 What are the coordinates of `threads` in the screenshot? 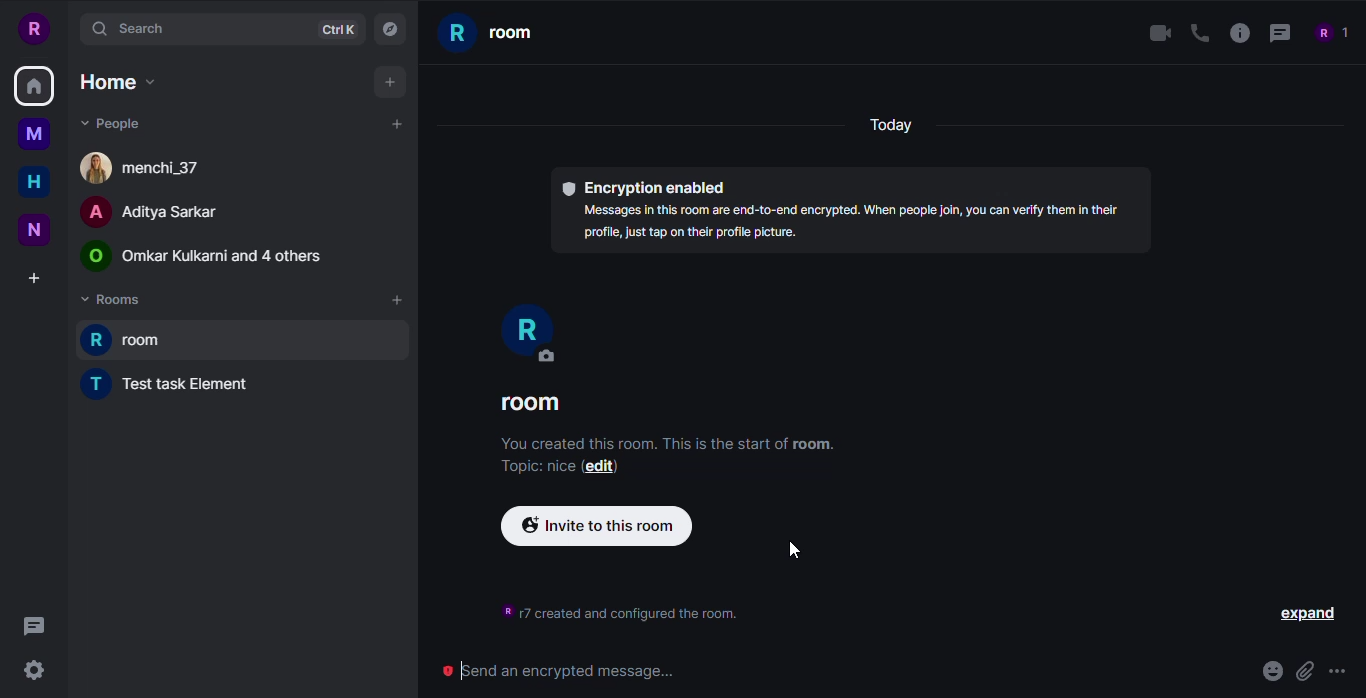 It's located at (39, 626).